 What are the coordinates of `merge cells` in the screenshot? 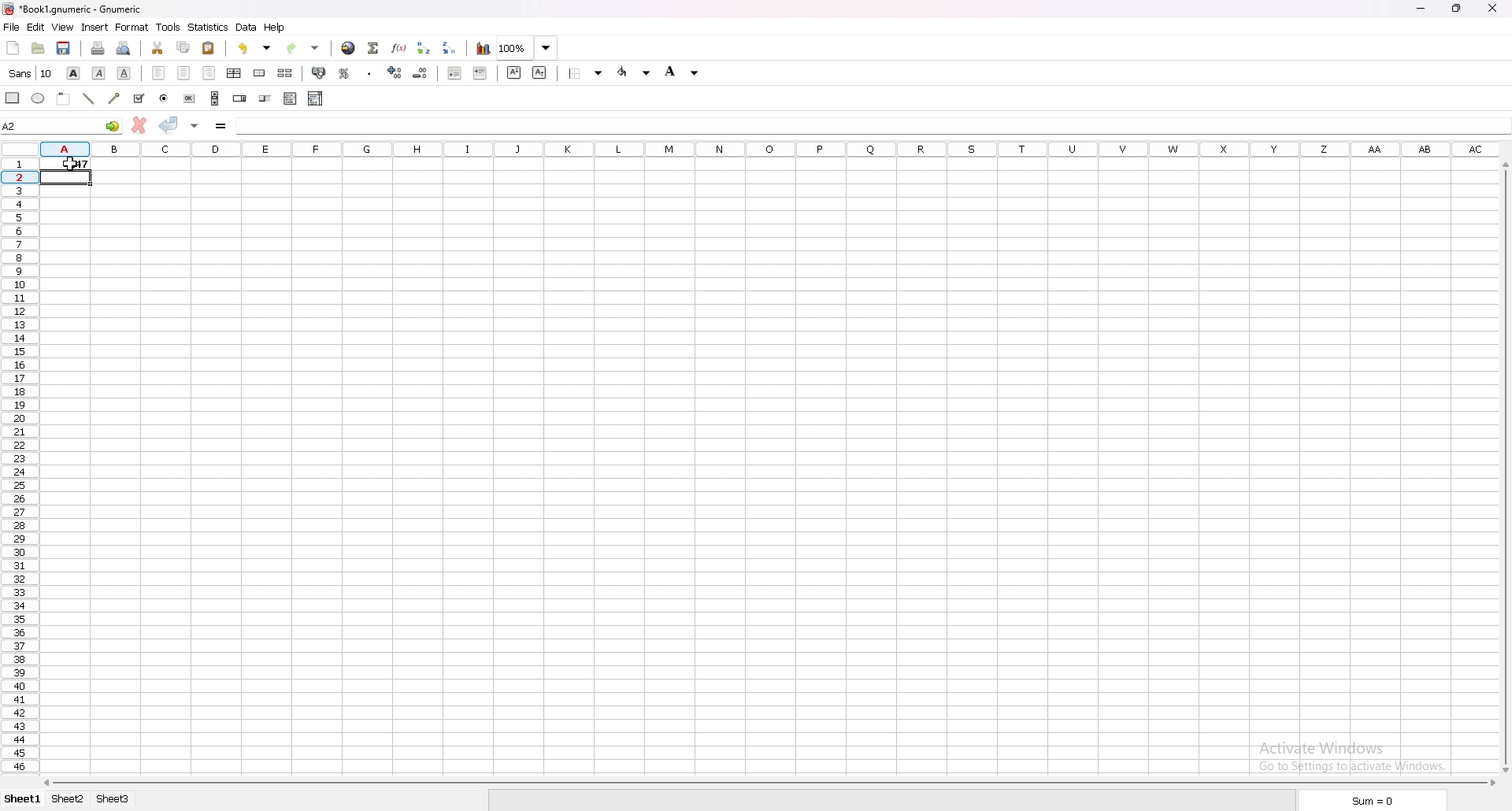 It's located at (261, 73).